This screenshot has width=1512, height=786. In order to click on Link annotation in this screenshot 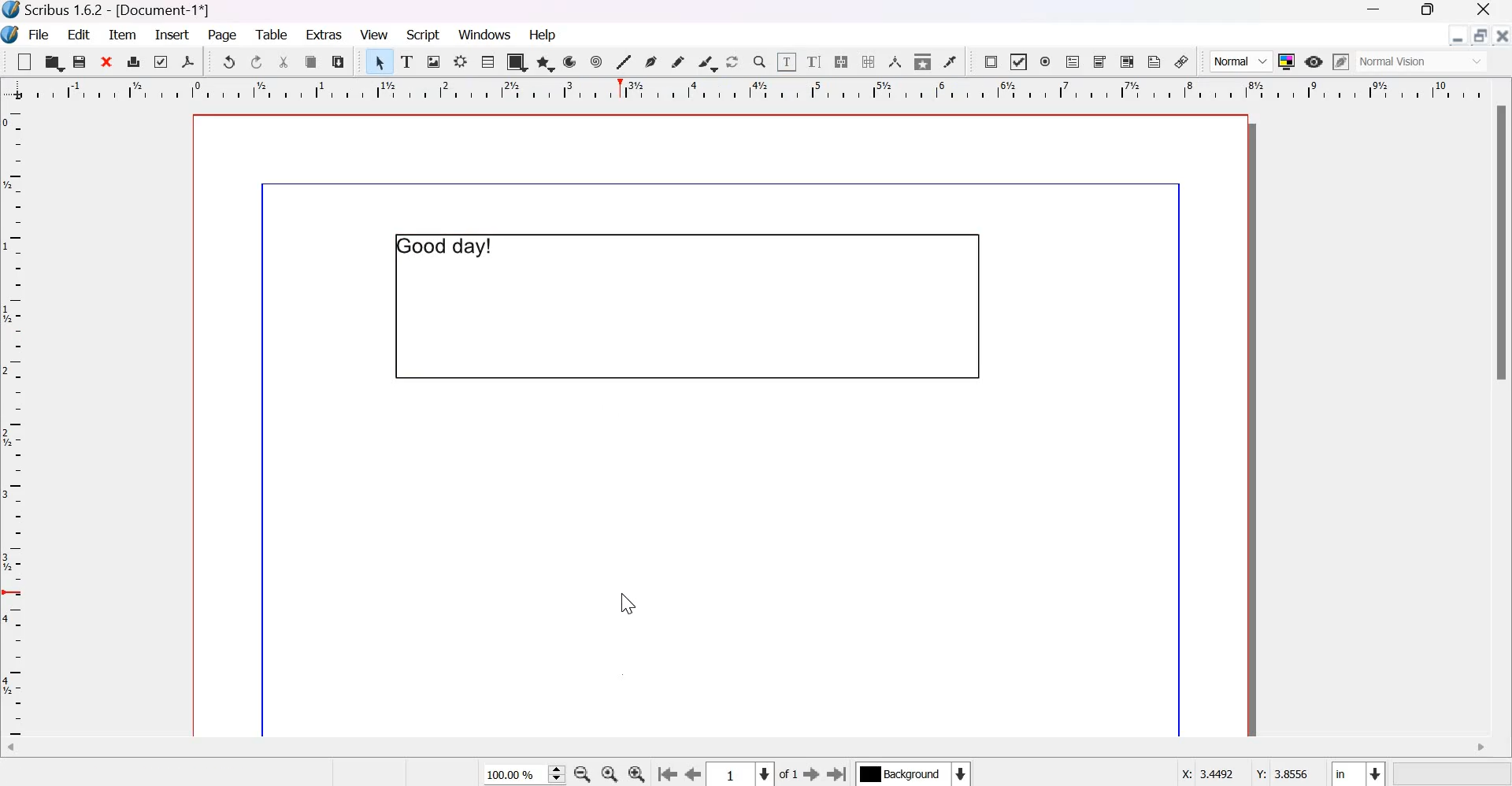, I will do `click(1182, 61)`.